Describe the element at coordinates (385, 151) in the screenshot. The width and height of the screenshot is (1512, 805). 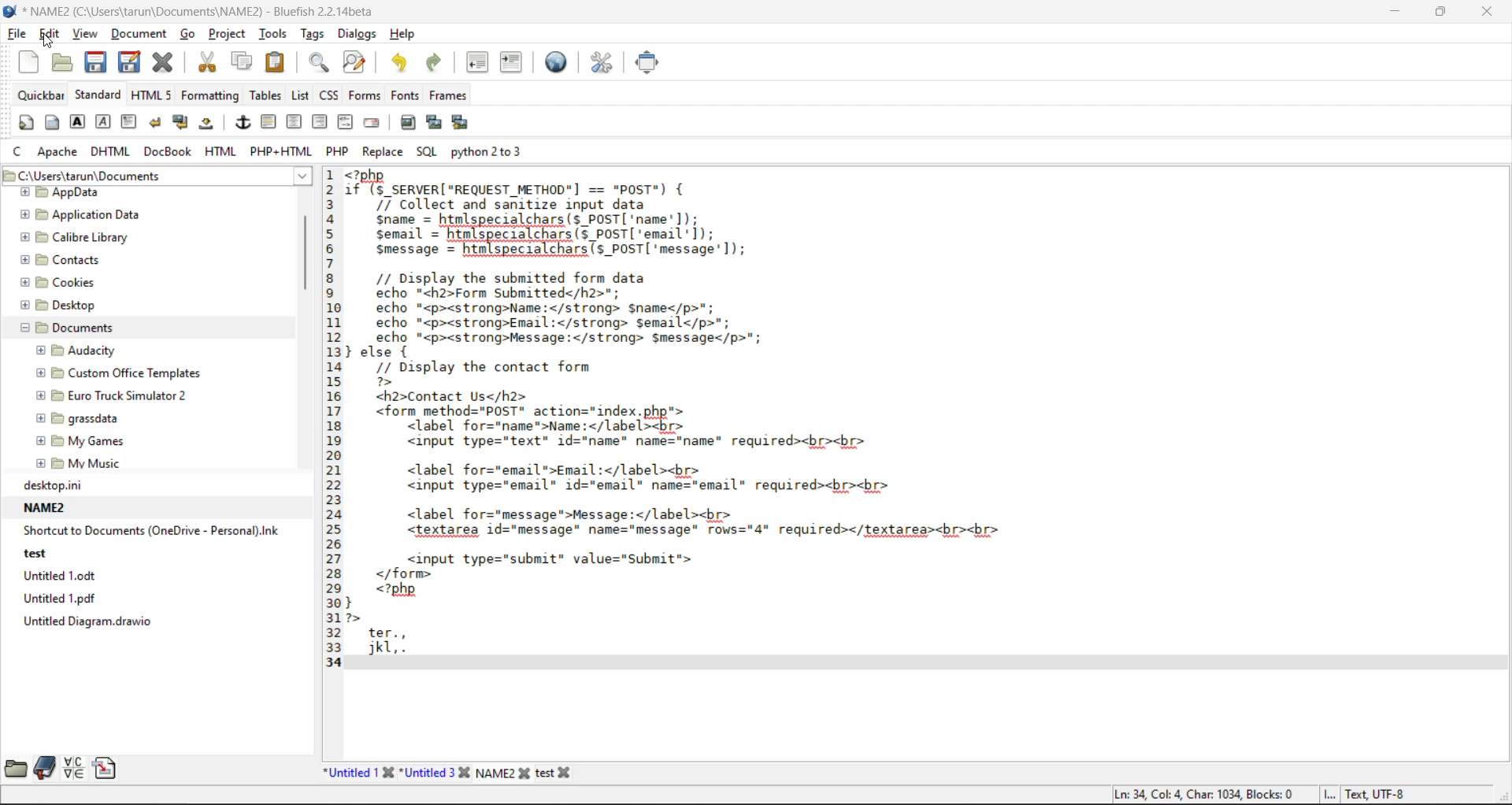
I see `replace` at that location.